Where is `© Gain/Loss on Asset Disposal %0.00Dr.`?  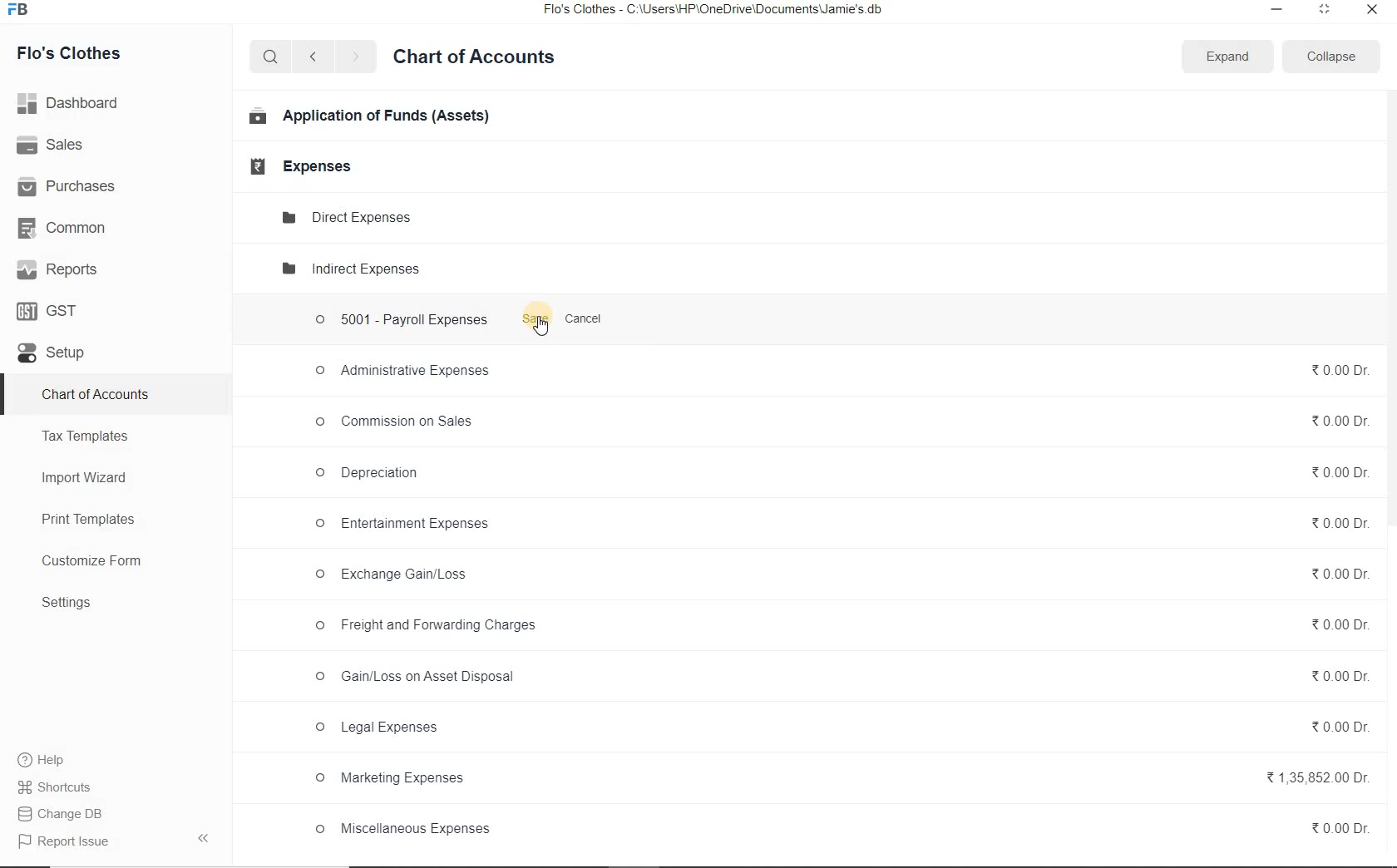
© Gain/Loss on Asset Disposal %0.00Dr. is located at coordinates (842, 679).